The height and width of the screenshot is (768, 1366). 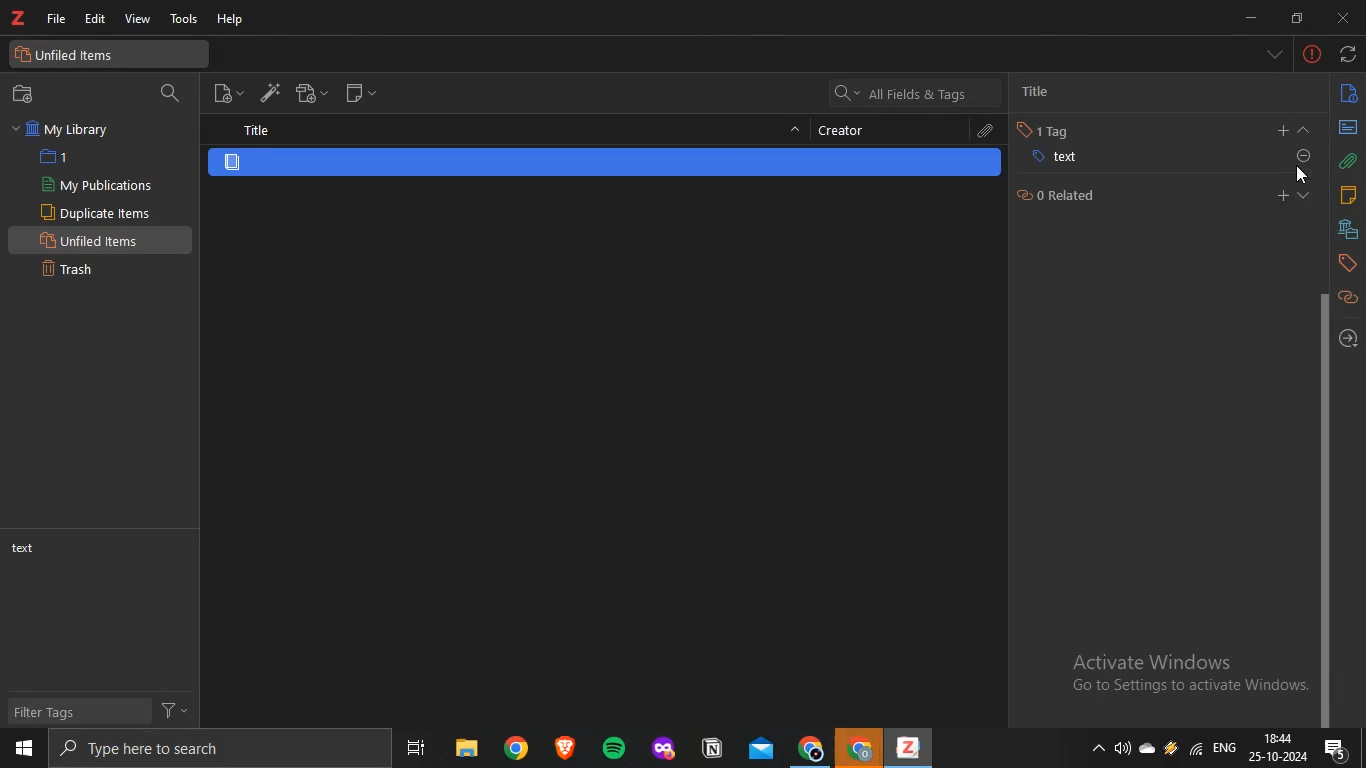 I want to click on restore down, so click(x=1300, y=18).